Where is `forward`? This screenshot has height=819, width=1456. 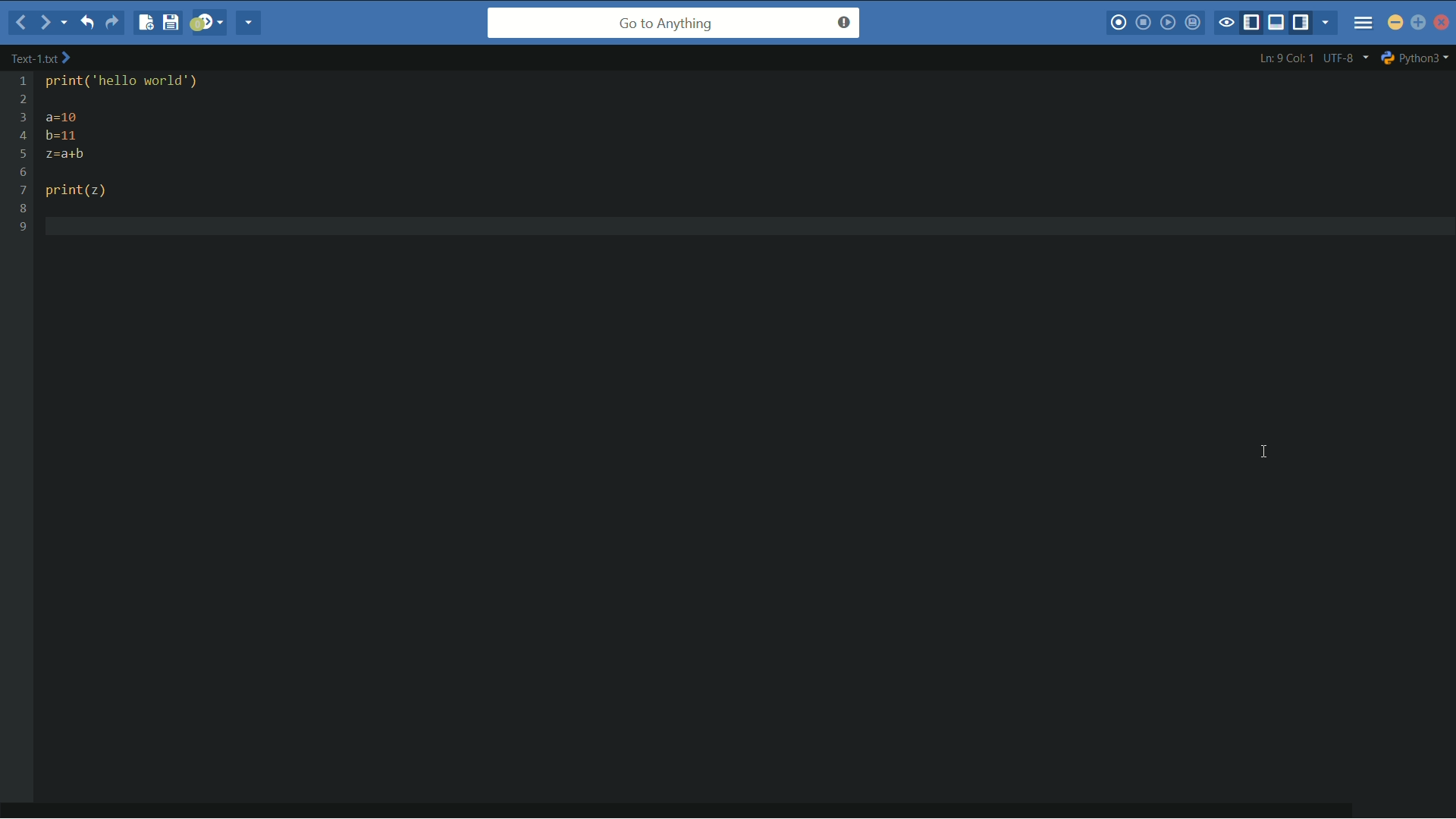 forward is located at coordinates (42, 22).